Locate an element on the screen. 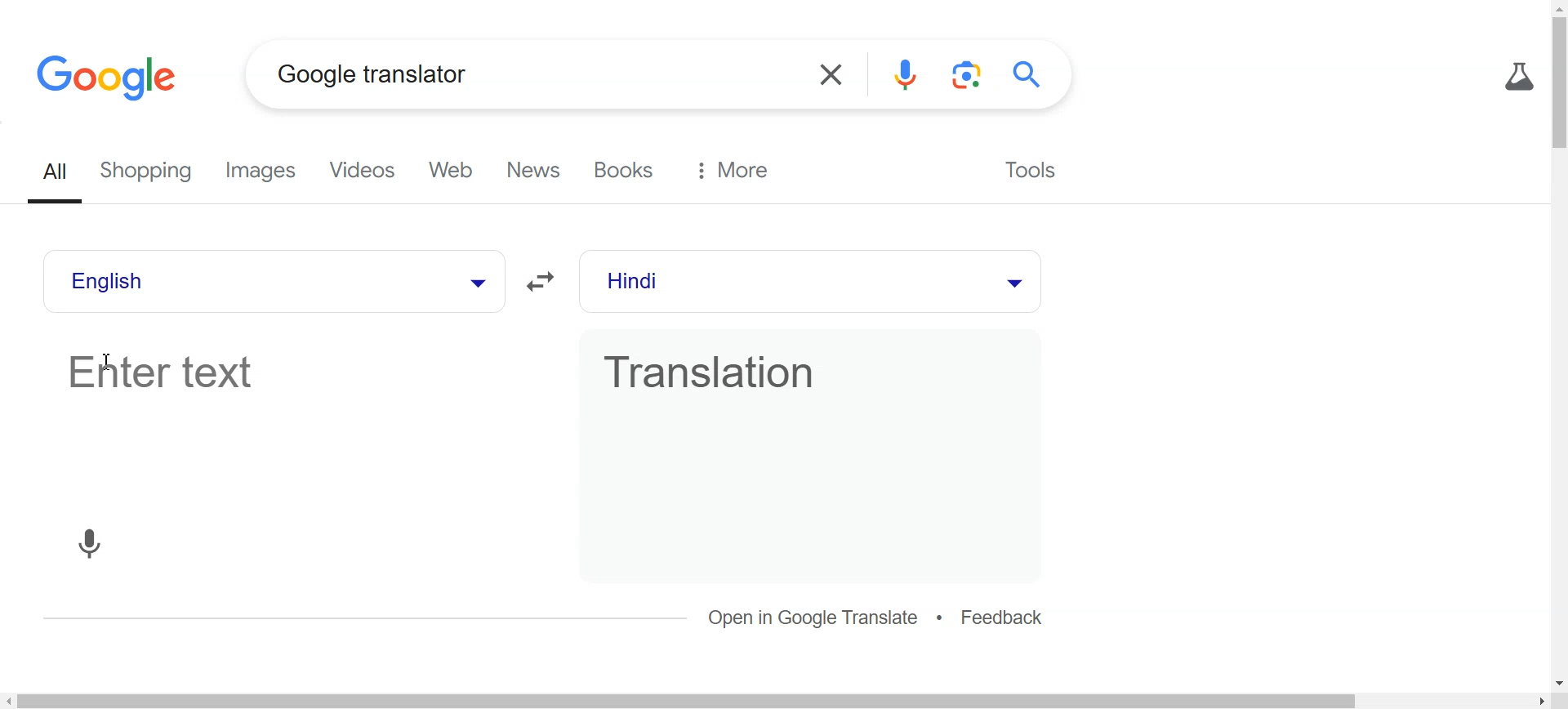 This screenshot has height=709, width=1568. Erase is located at coordinates (828, 75).